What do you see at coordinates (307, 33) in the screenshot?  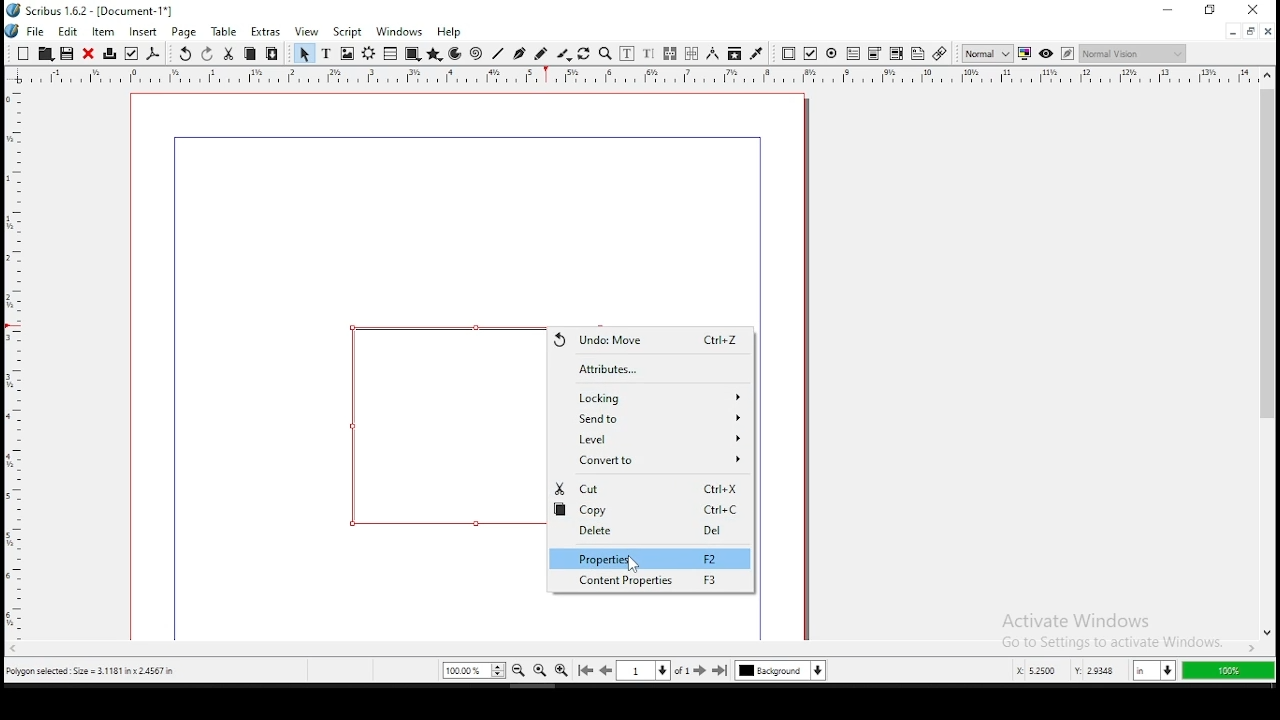 I see `view` at bounding box center [307, 33].